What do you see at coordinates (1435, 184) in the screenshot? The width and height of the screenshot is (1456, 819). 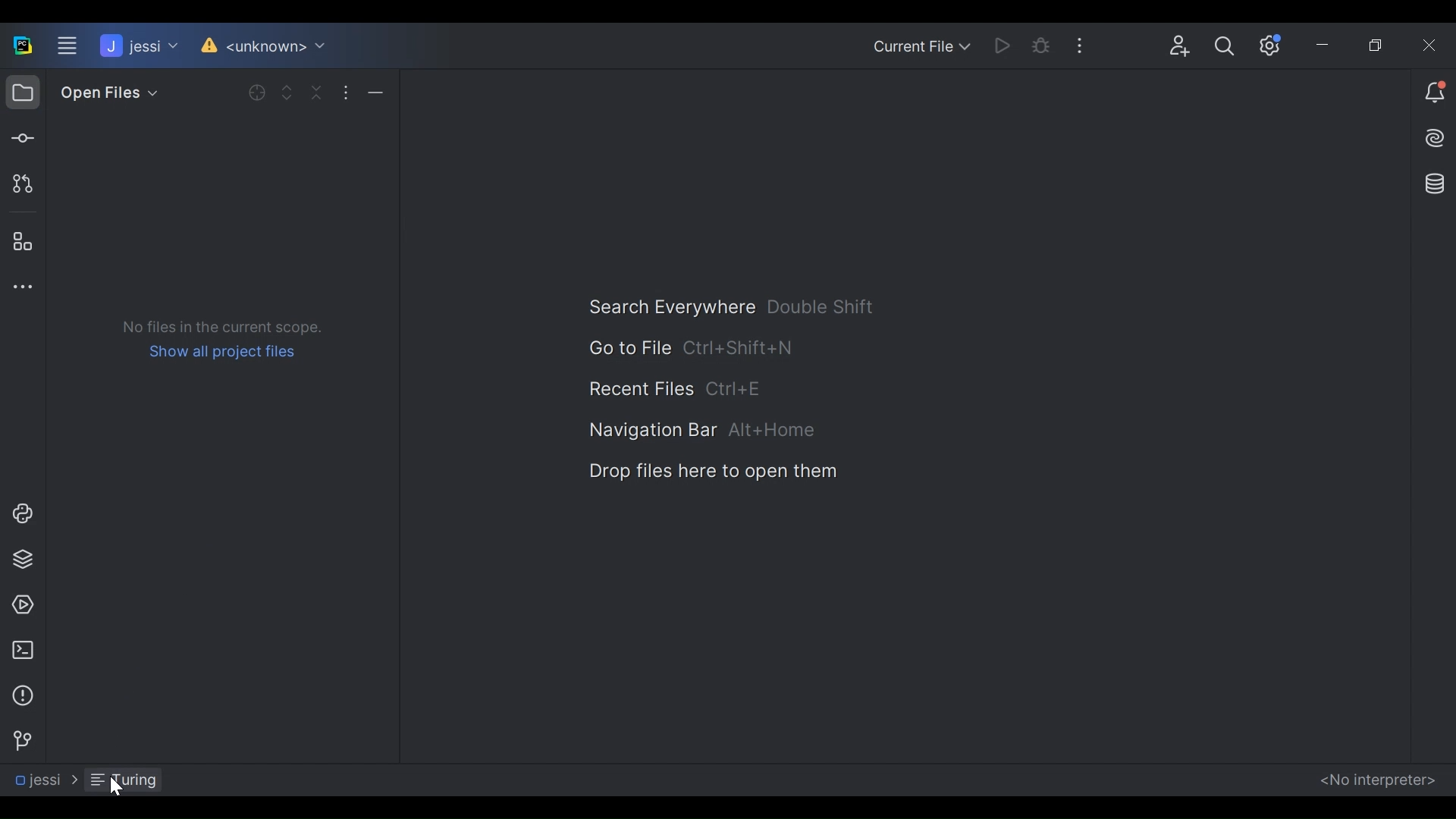 I see `Database` at bounding box center [1435, 184].